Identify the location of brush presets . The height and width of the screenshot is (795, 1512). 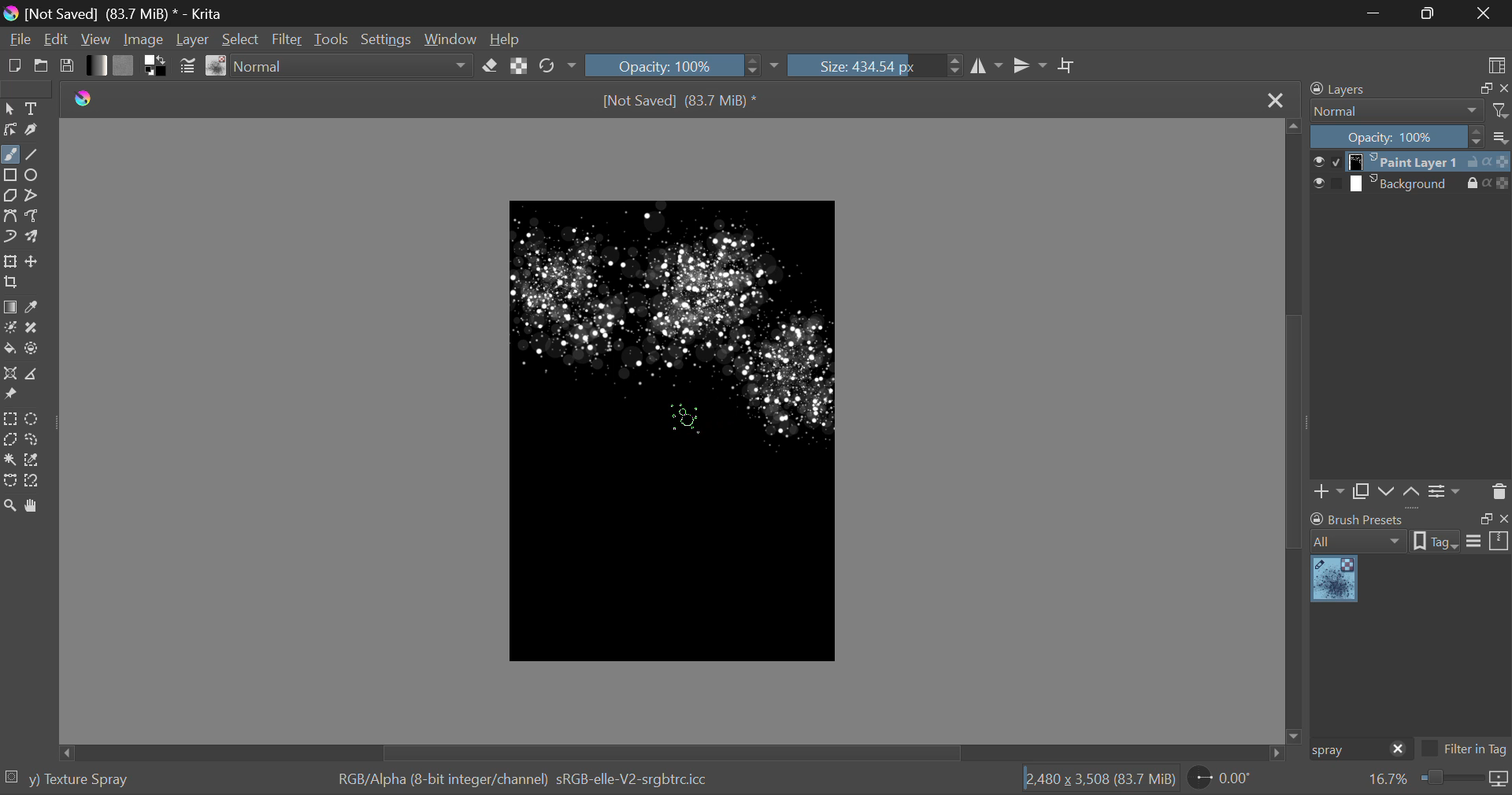
(1358, 519).